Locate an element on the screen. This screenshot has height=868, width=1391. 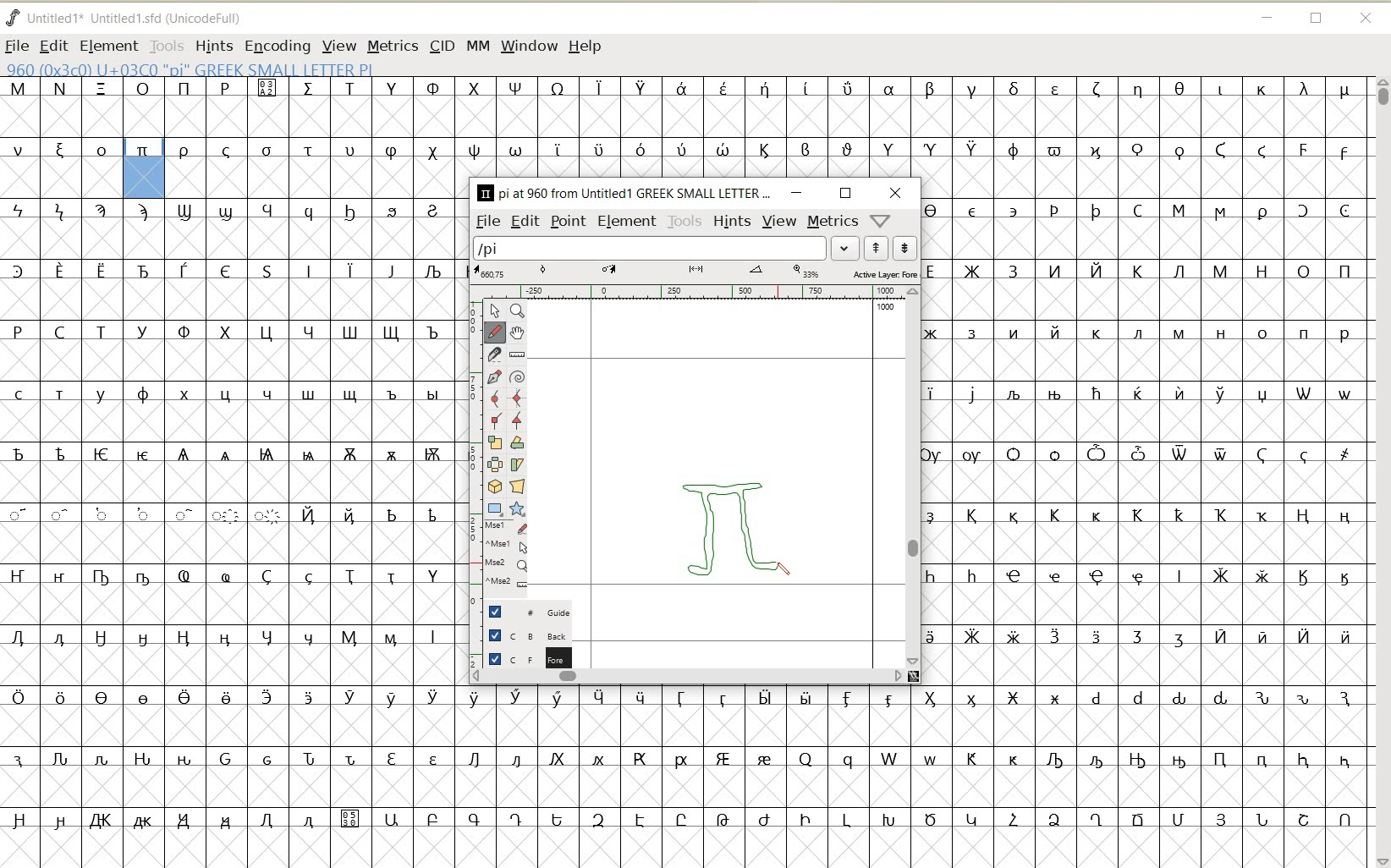
ELEMENT is located at coordinates (627, 222).